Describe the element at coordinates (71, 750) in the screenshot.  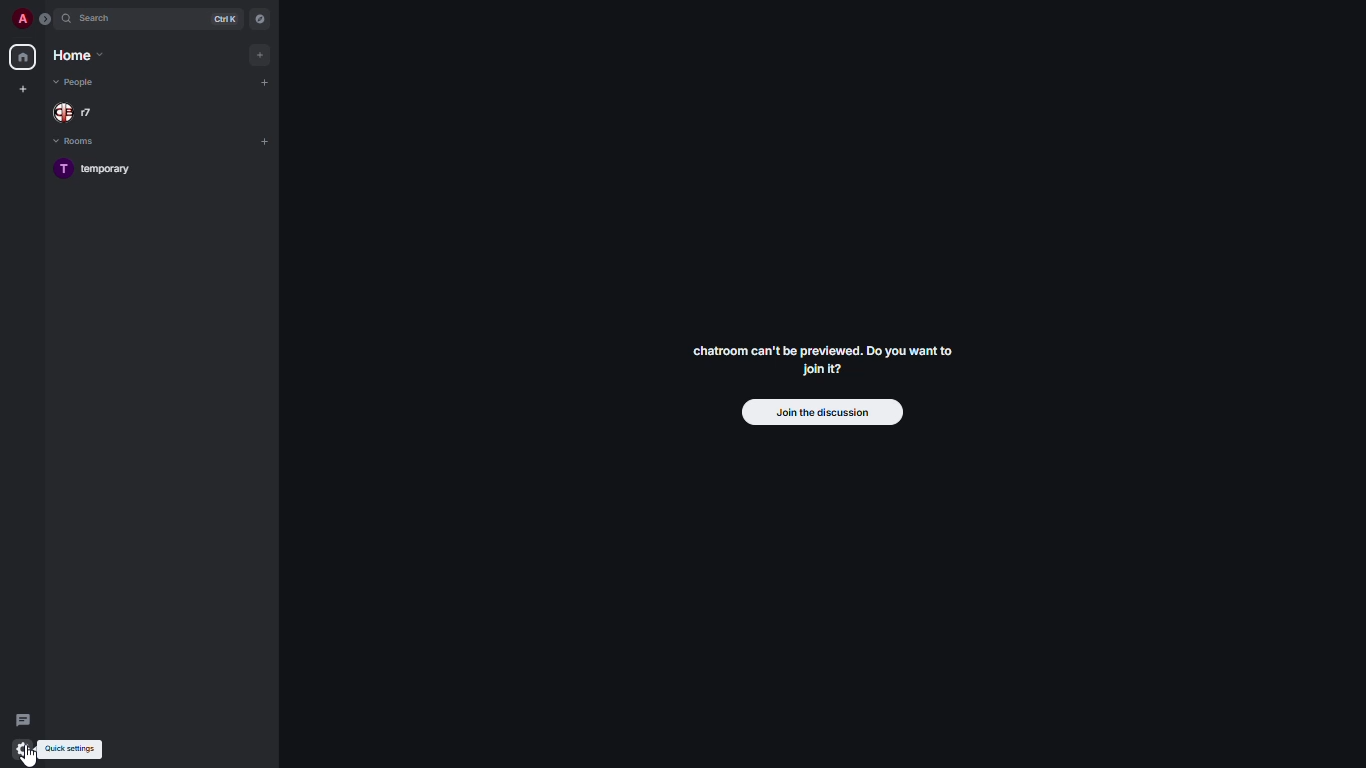
I see `quick settings` at that location.